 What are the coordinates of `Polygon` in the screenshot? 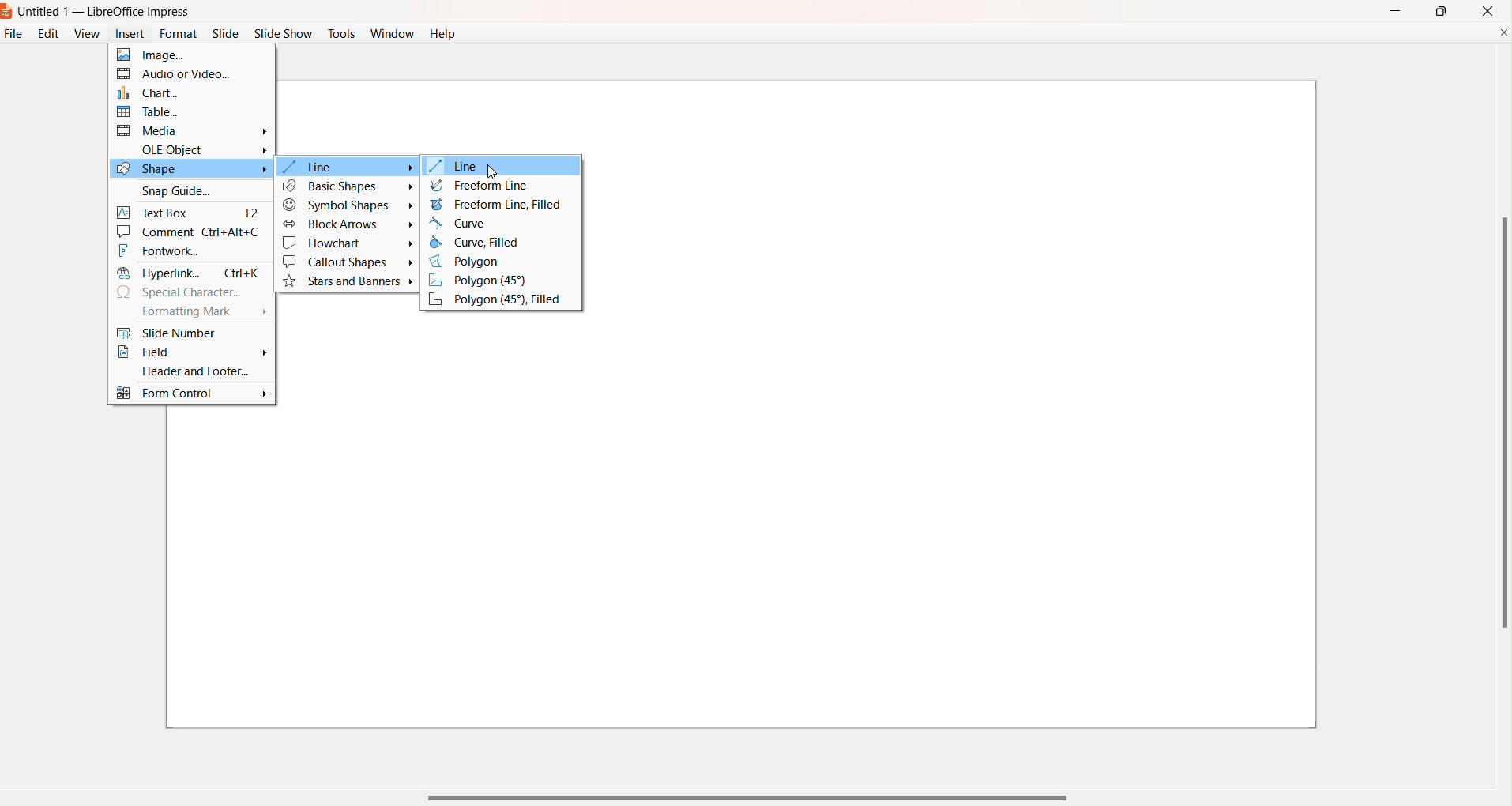 It's located at (475, 262).